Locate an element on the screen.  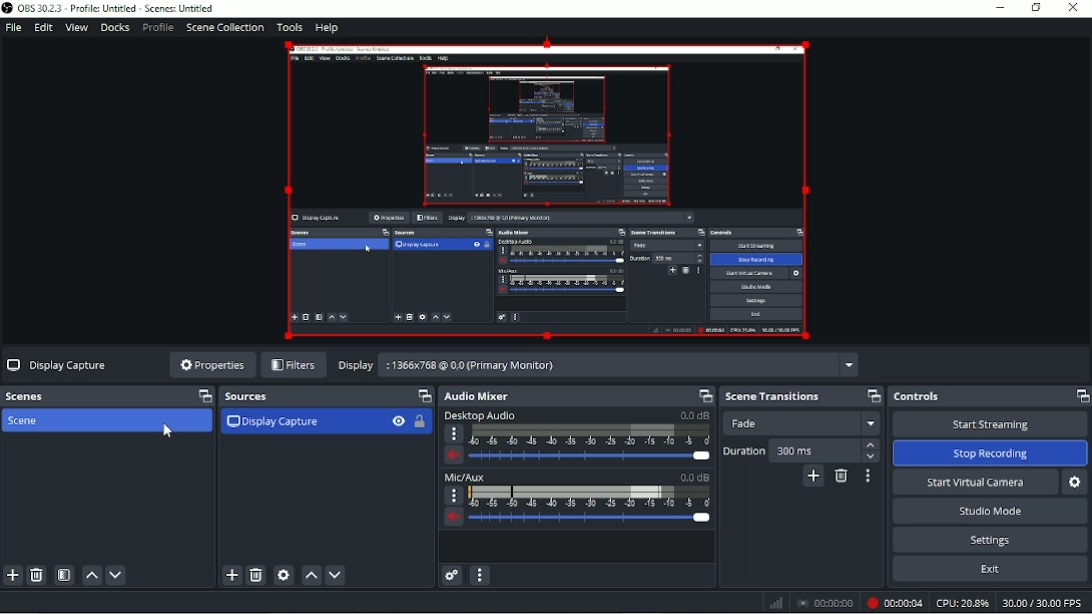
Audio Mixer is located at coordinates (477, 397).